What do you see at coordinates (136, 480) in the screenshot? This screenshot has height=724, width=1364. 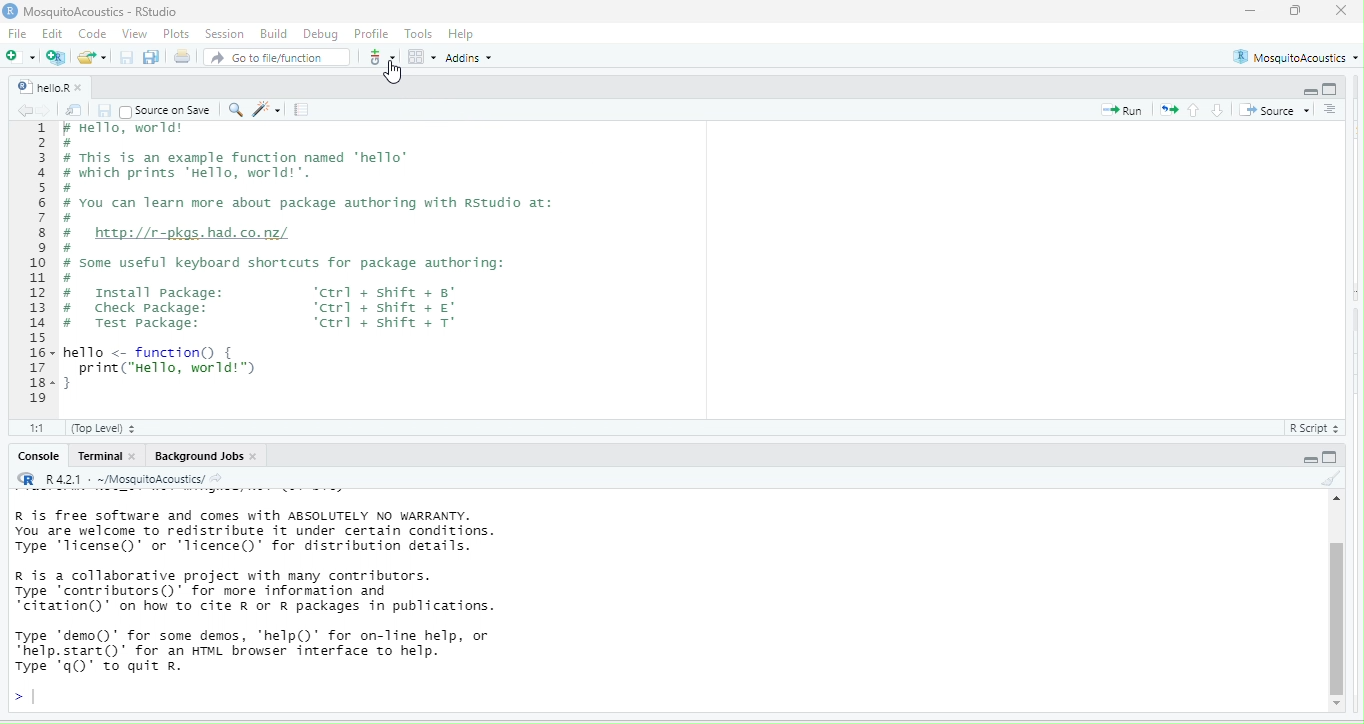 I see `R R421 - ~/MosquitoAcoustics/` at bounding box center [136, 480].